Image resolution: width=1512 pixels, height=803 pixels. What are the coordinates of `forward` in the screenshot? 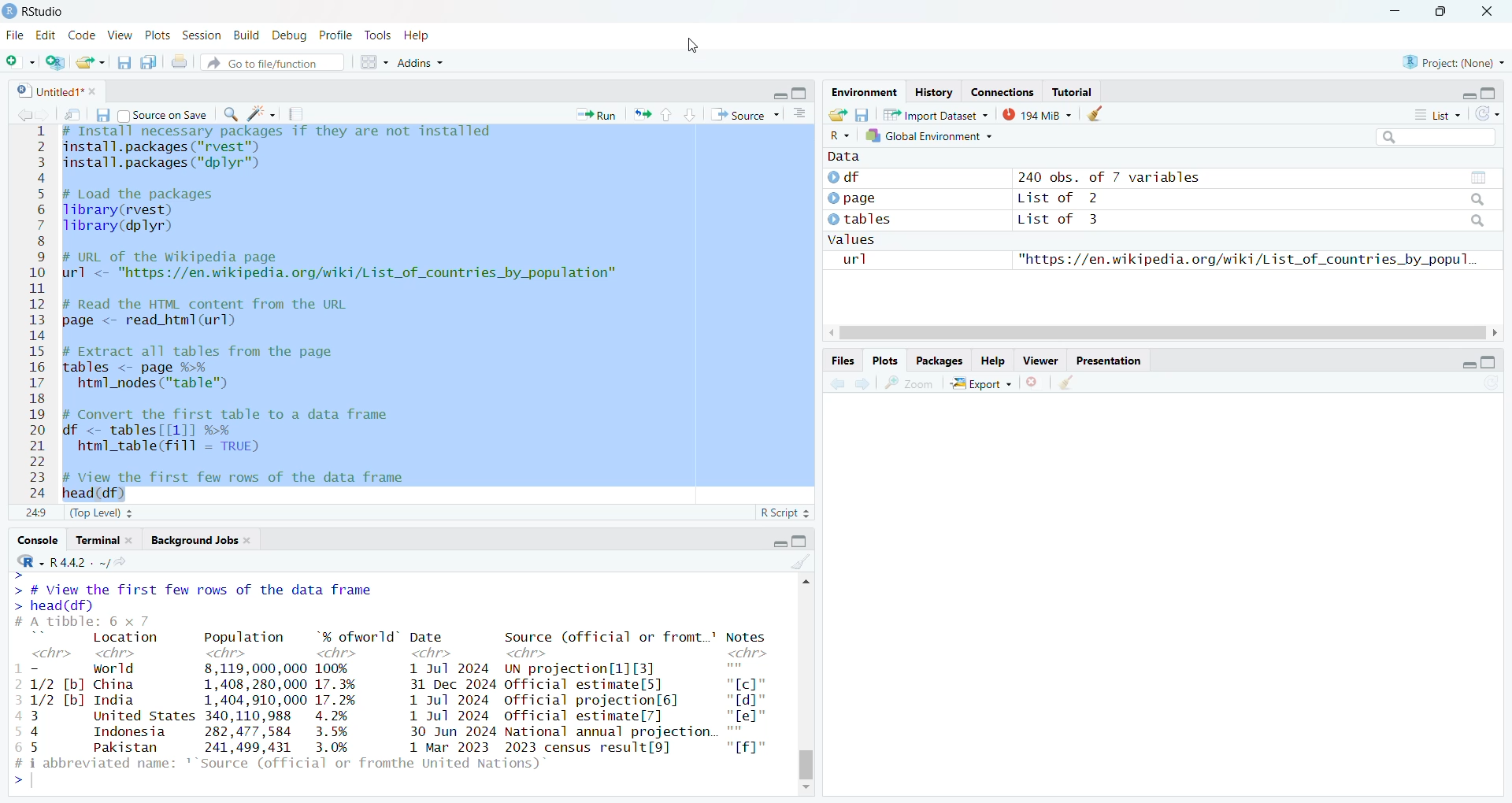 It's located at (47, 115).